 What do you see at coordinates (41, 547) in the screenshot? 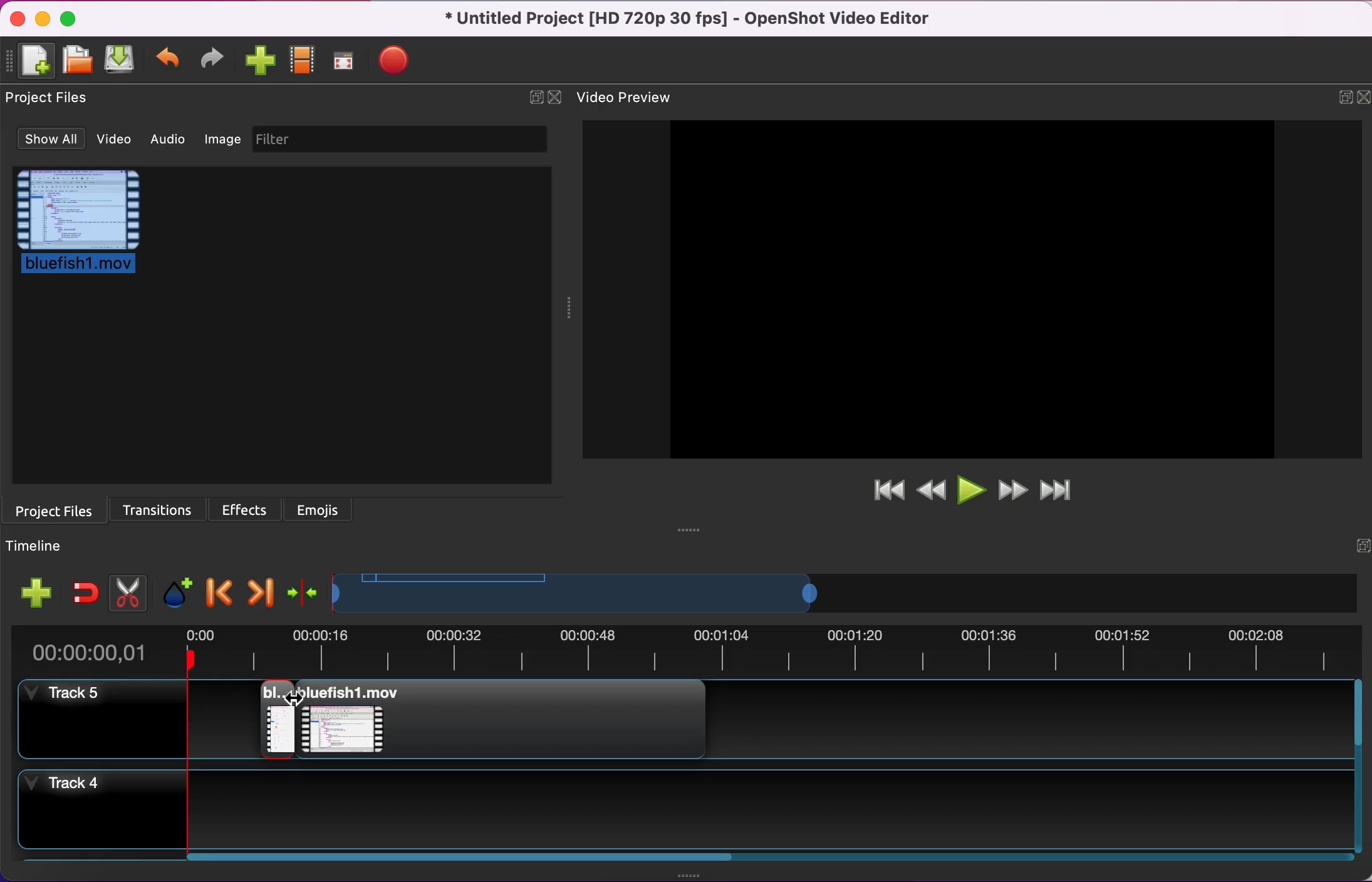
I see `timeline` at bounding box center [41, 547].